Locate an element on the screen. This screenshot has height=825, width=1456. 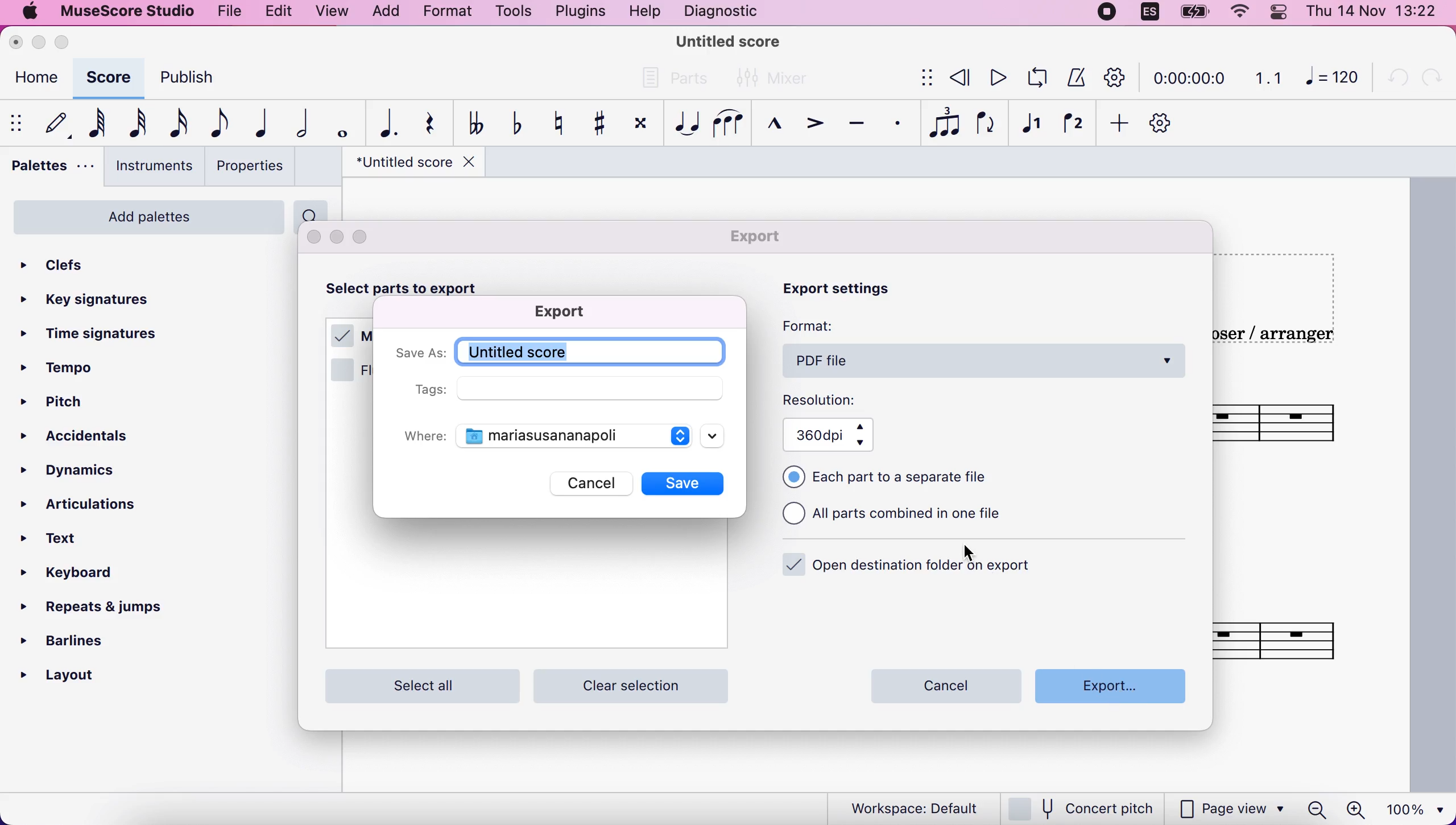
maximize is located at coordinates (367, 237).